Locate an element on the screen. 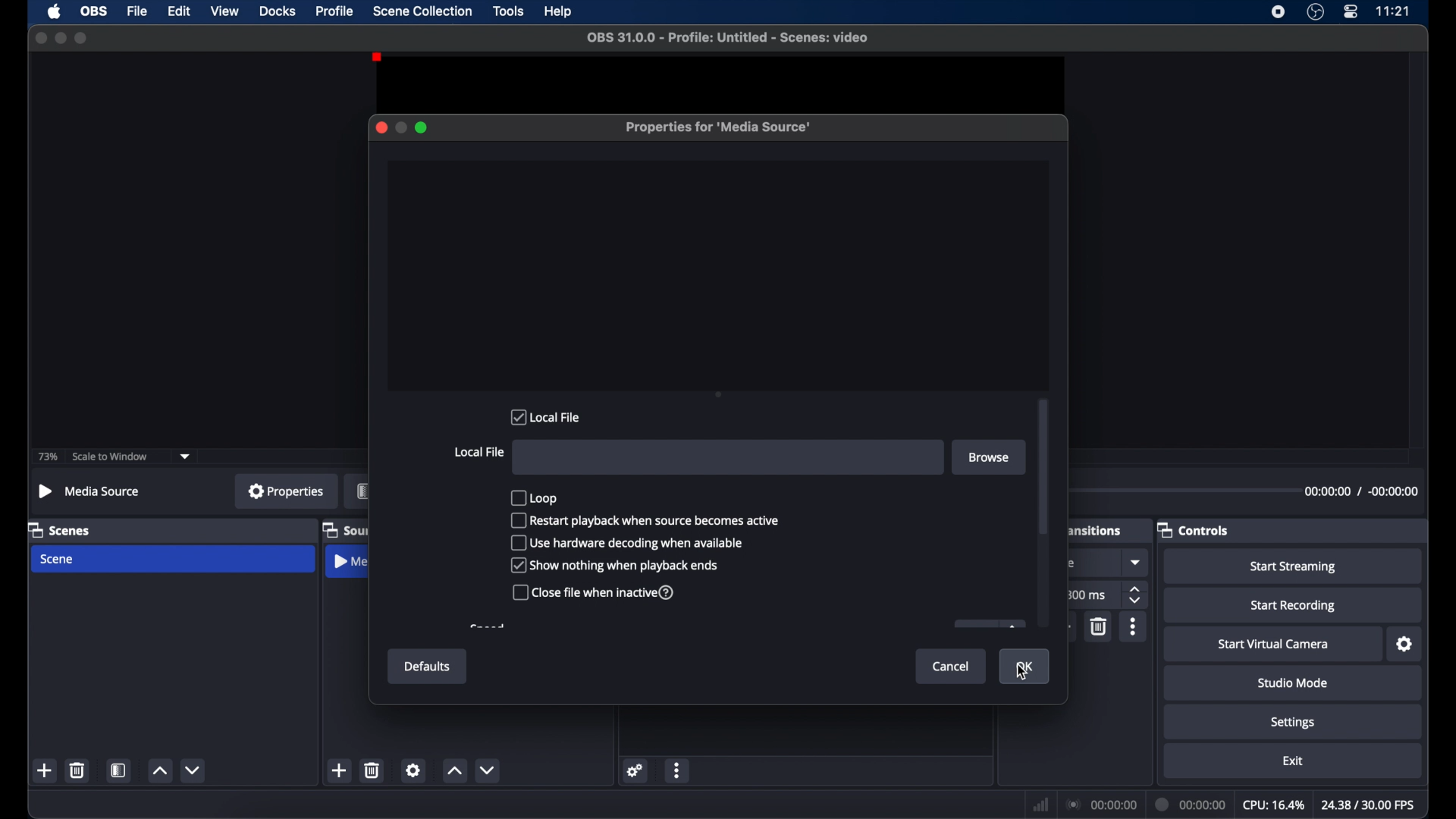 The width and height of the screenshot is (1456, 819). controls is located at coordinates (1194, 529).